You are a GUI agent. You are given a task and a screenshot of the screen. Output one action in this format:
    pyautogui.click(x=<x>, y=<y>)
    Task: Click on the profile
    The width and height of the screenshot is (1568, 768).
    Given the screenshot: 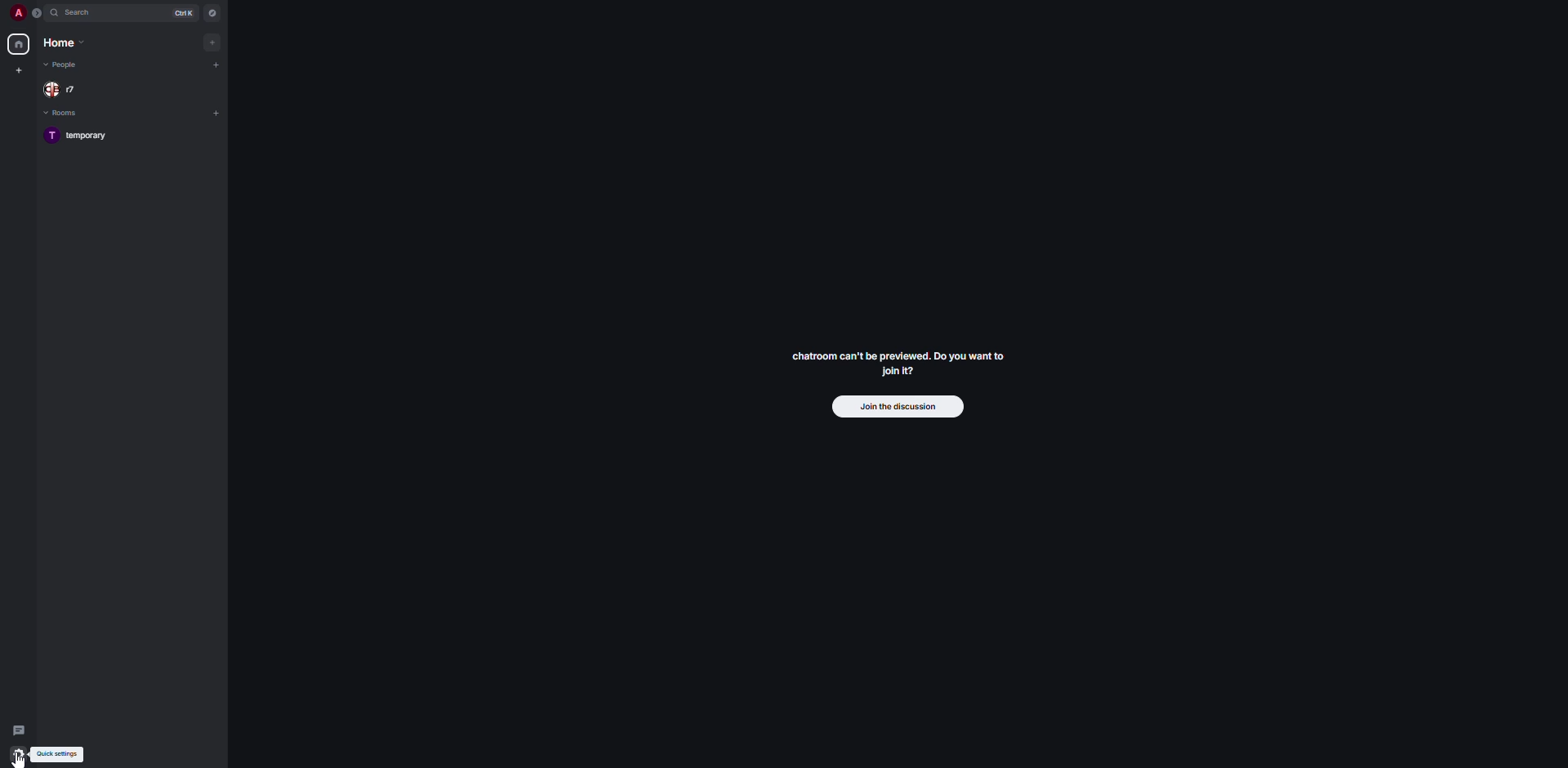 What is the action you would take?
    pyautogui.click(x=18, y=12)
    